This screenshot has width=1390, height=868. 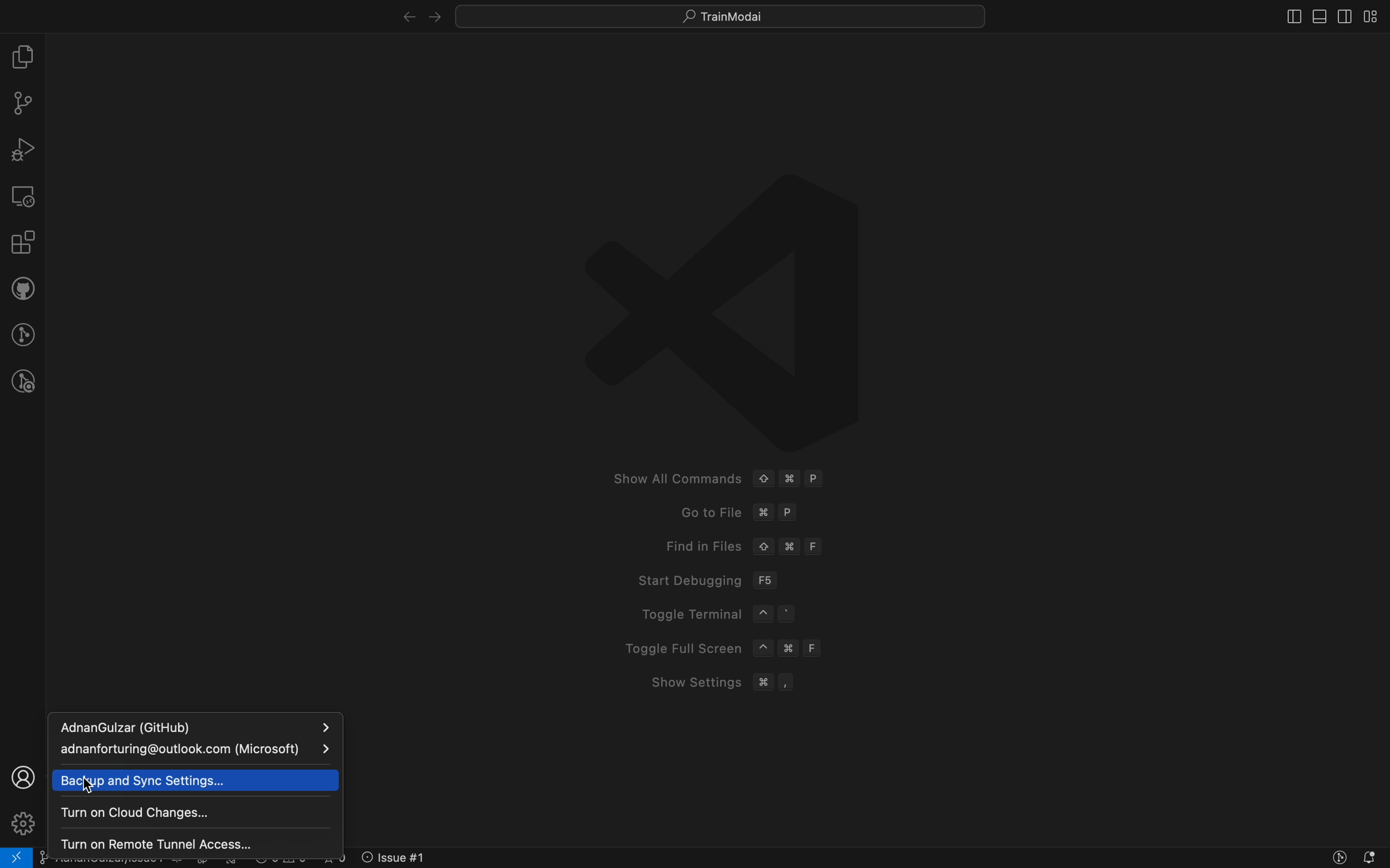 I want to click on remote tunnel on, so click(x=190, y=846).